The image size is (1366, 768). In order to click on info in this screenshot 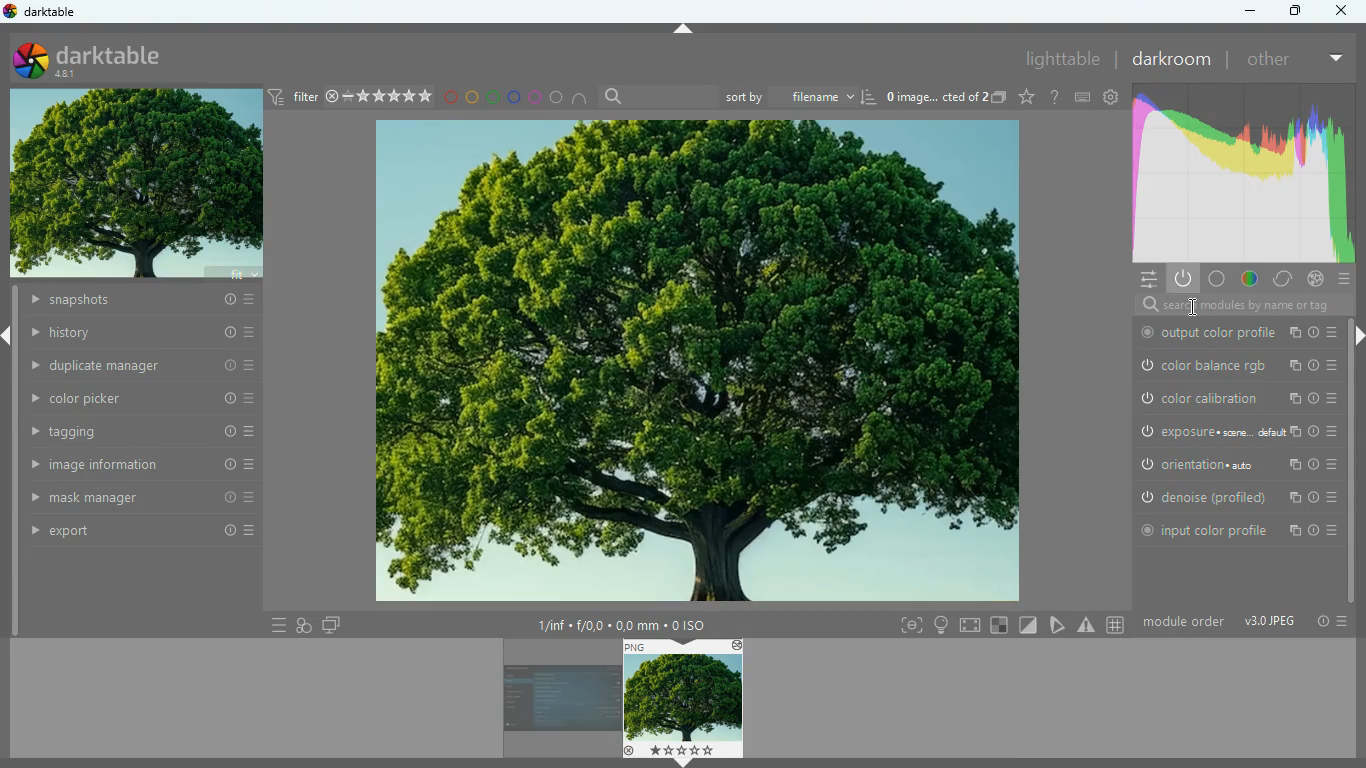, I will do `click(1318, 622)`.